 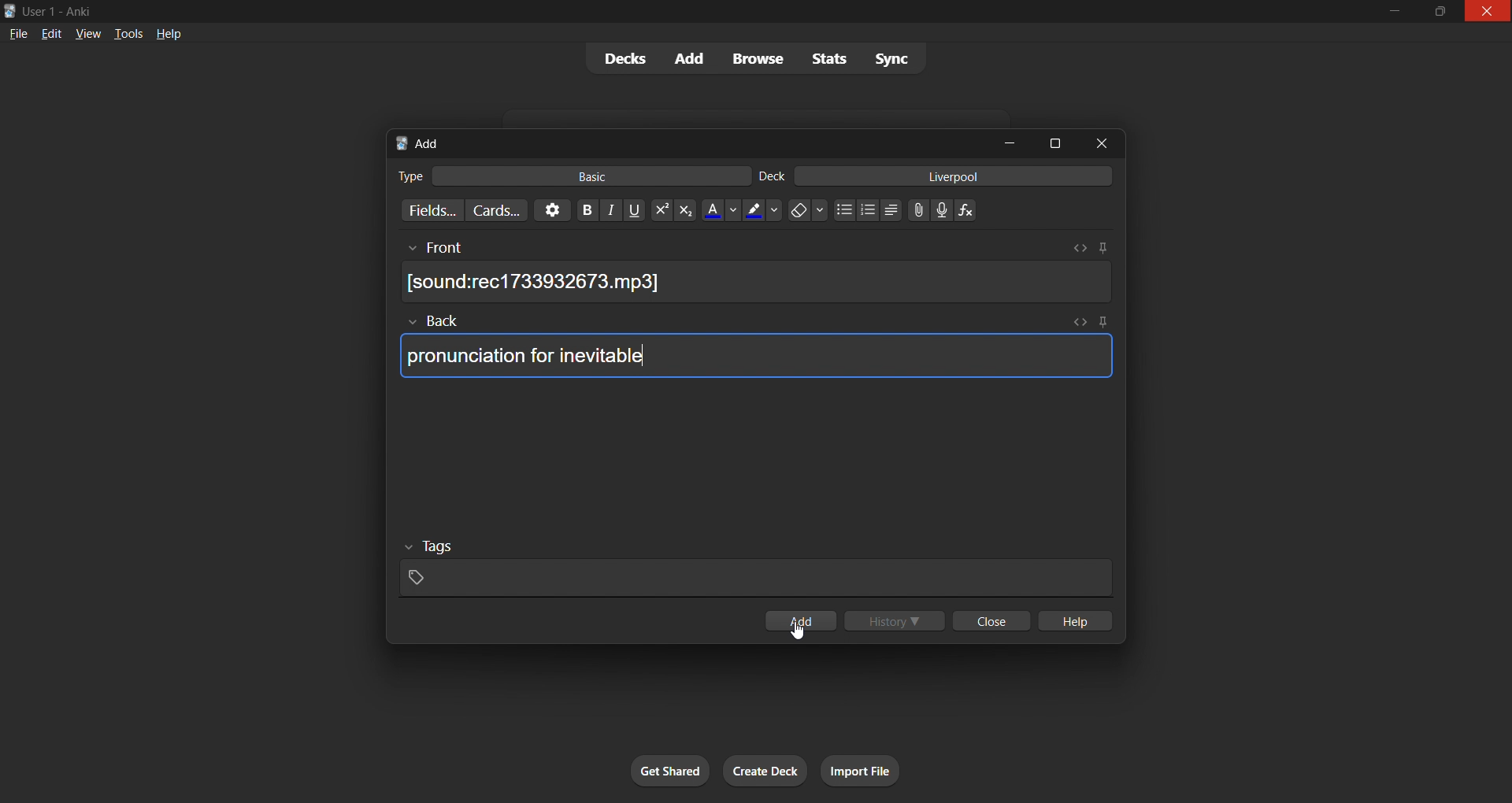 I want to click on cursor, so click(x=798, y=634).